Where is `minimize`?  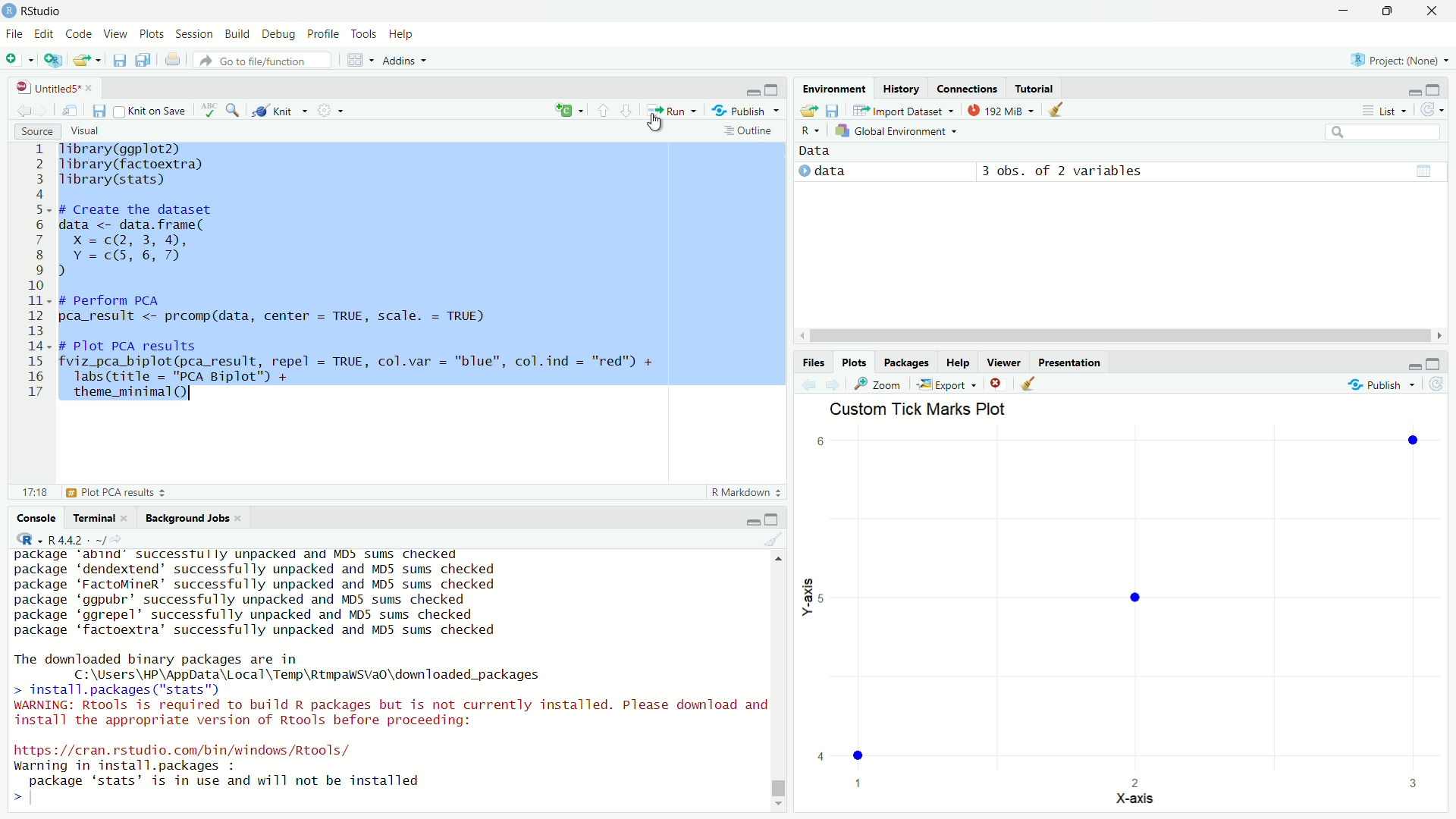 minimize is located at coordinates (1413, 362).